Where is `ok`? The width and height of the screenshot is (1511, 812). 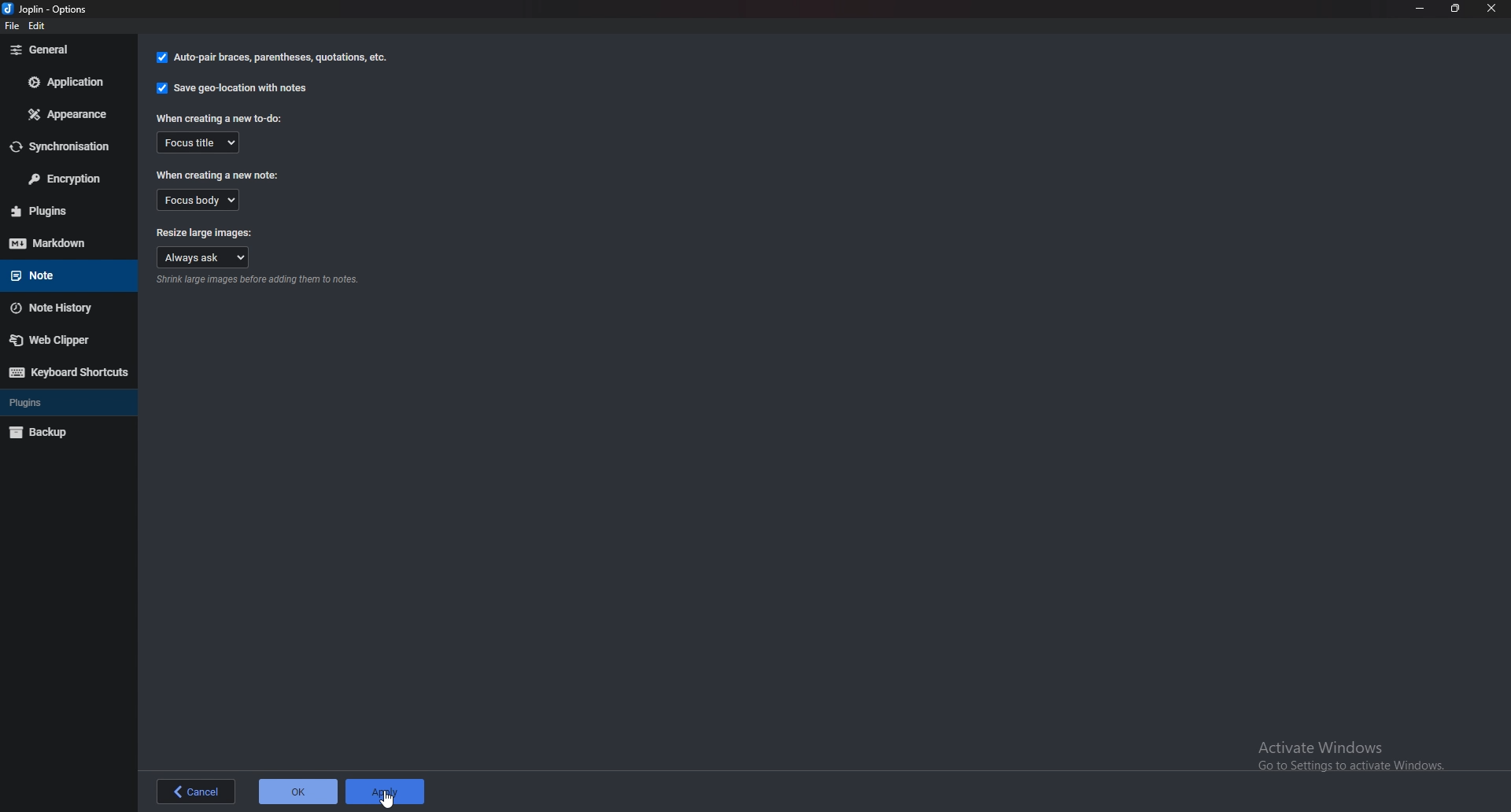
ok is located at coordinates (297, 790).